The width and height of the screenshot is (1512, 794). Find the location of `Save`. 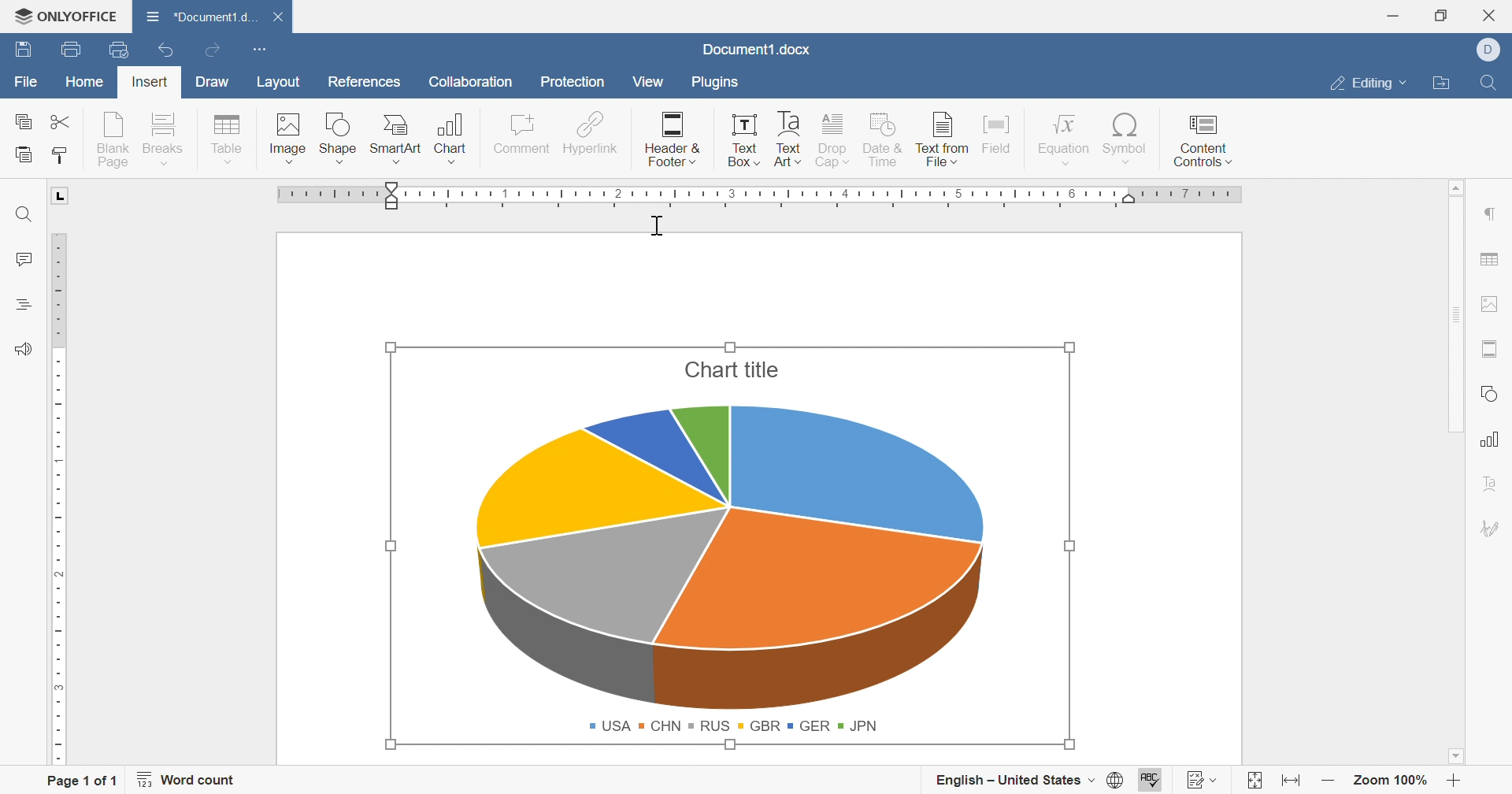

Save is located at coordinates (23, 51).